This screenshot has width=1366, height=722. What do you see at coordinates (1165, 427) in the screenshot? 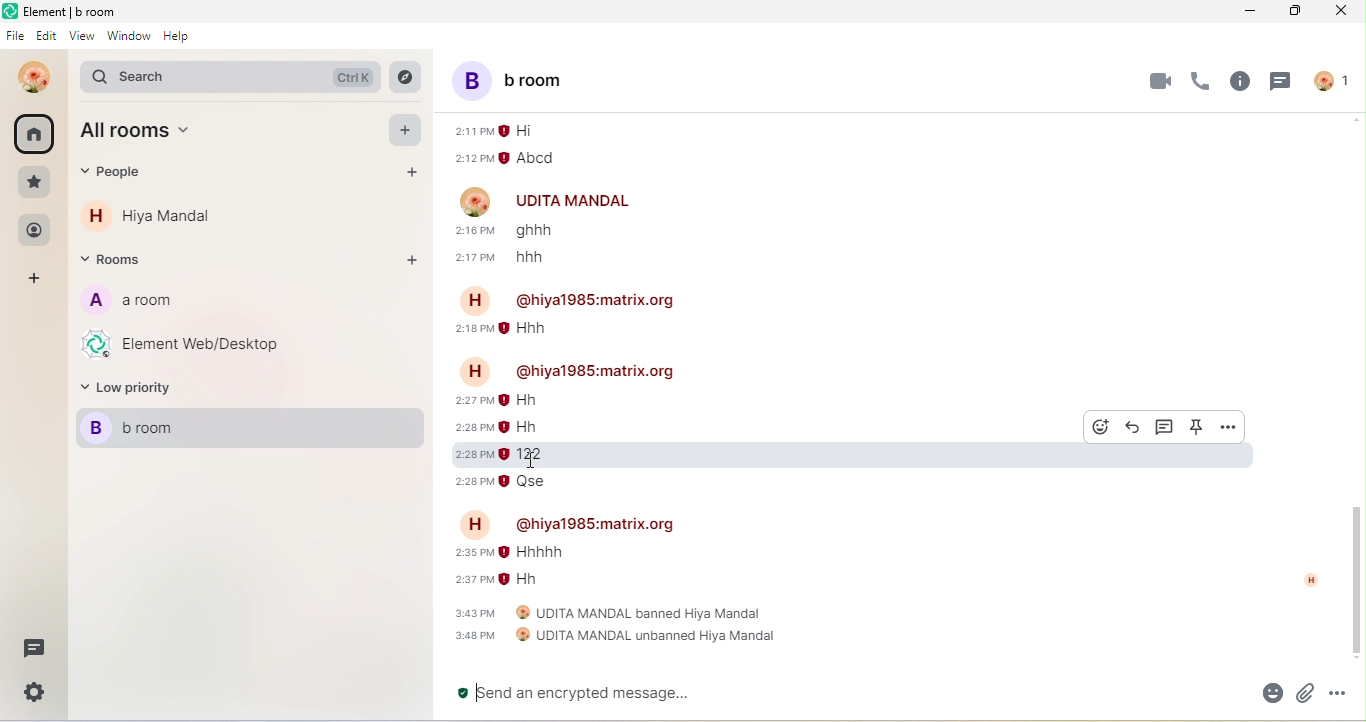
I see `thread` at bounding box center [1165, 427].